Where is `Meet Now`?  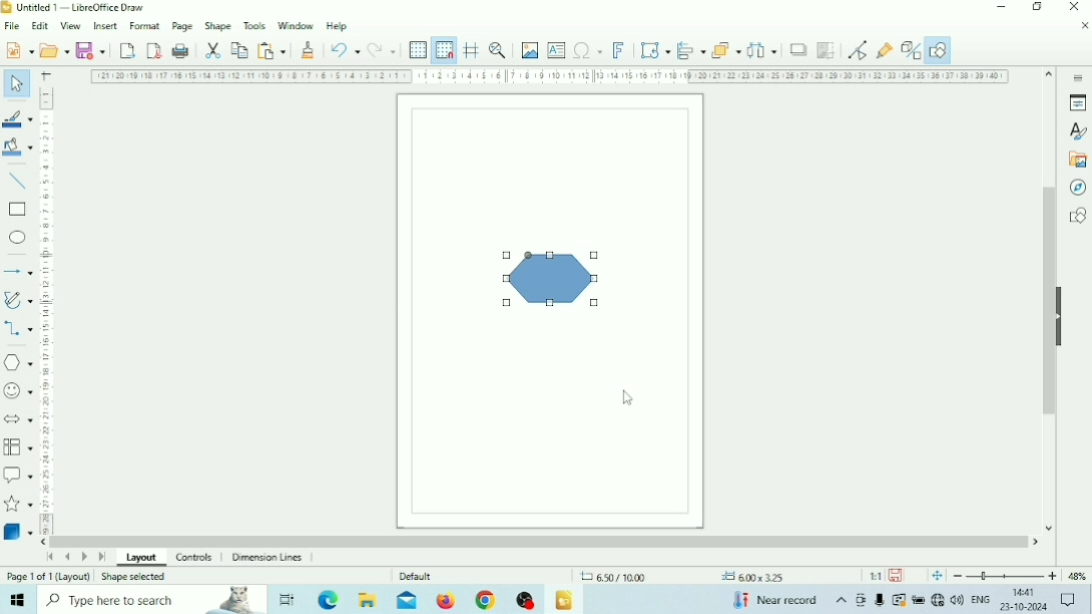
Meet Now is located at coordinates (862, 600).